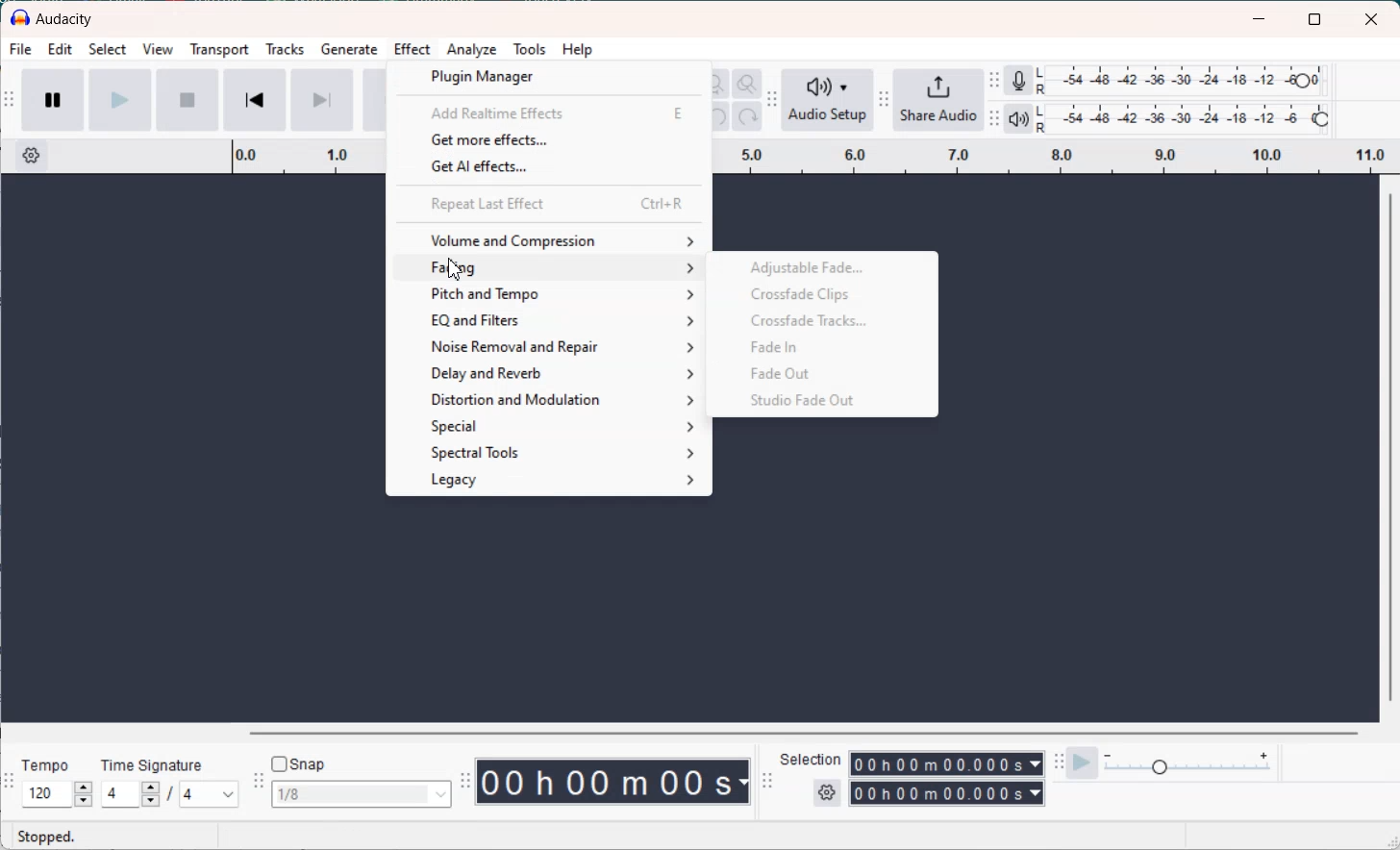 This screenshot has width=1400, height=850. I want to click on hh:mm:ss, so click(615, 781).